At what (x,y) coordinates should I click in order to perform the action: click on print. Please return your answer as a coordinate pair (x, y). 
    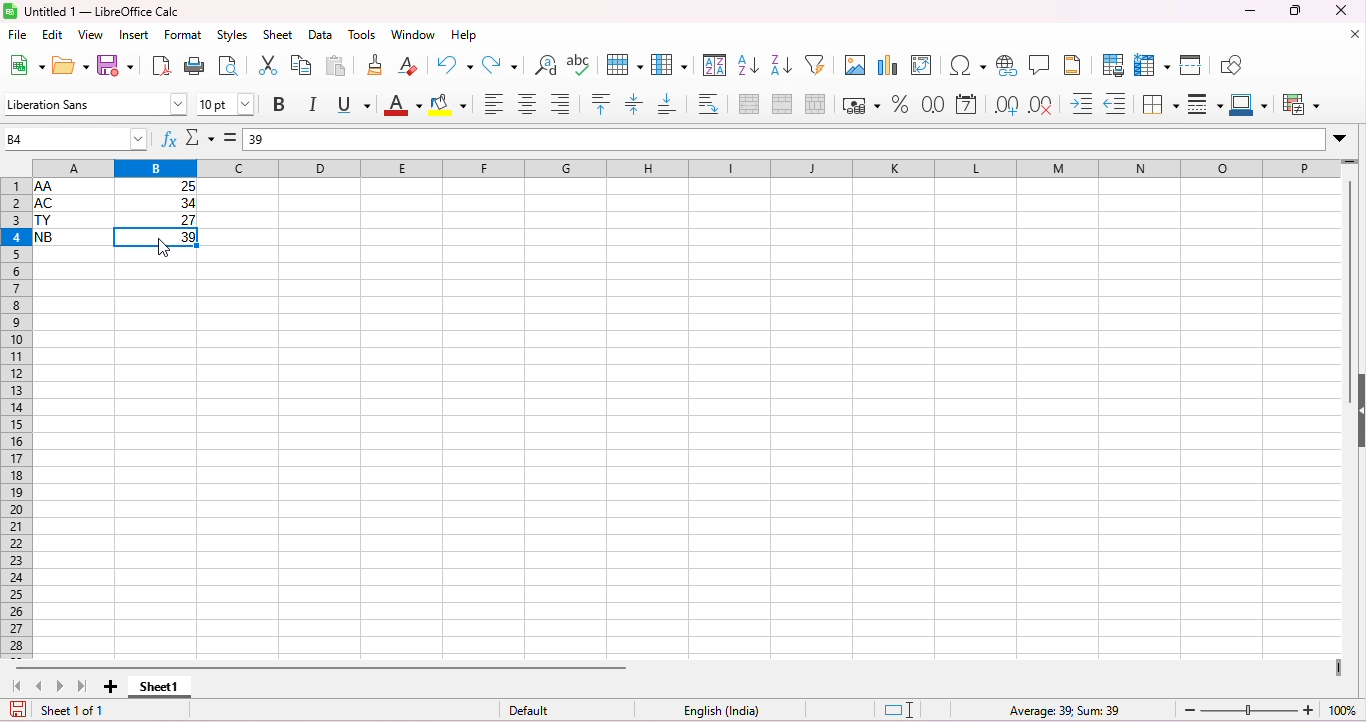
    Looking at the image, I should click on (194, 65).